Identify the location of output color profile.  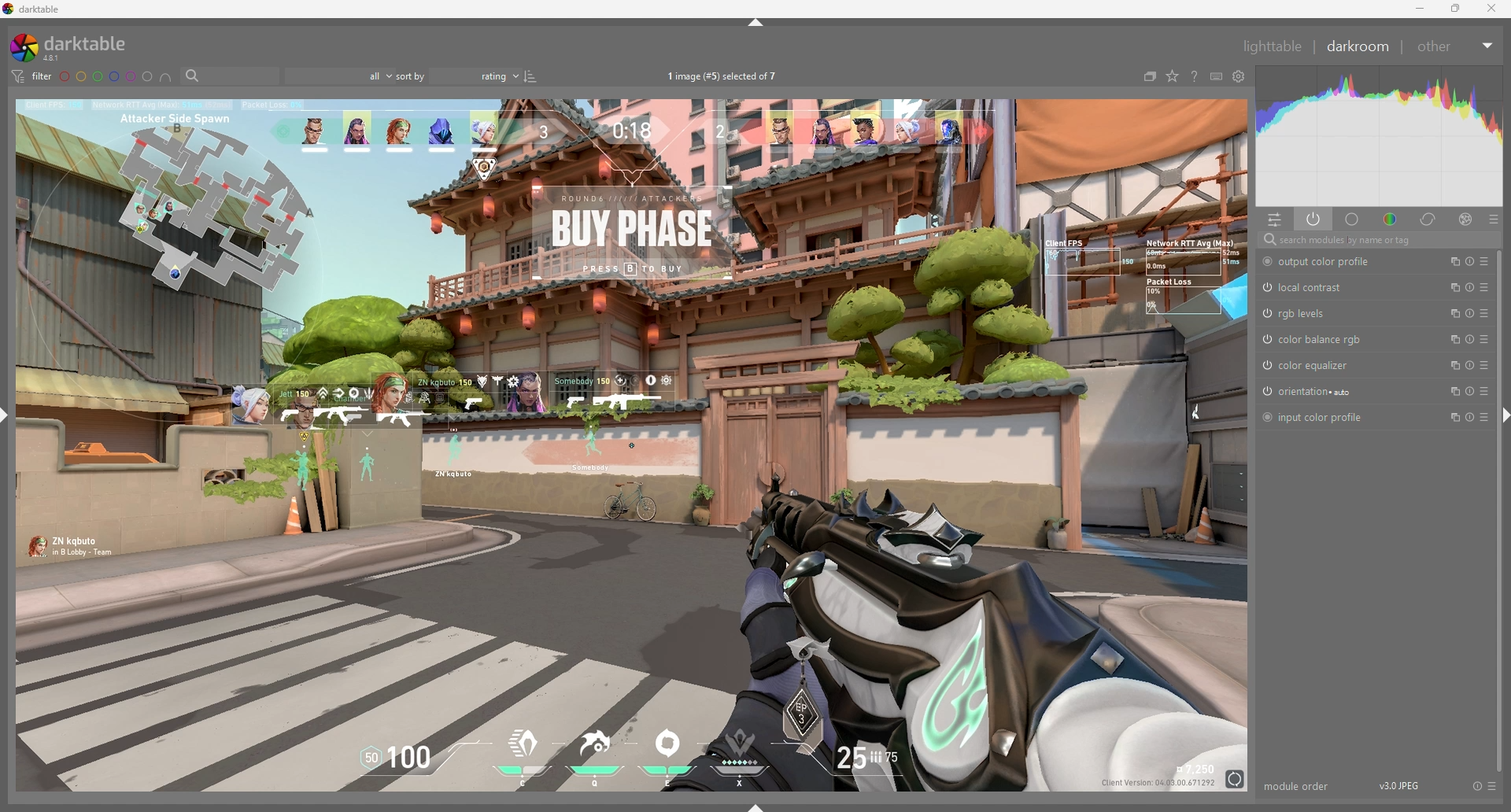
(1326, 263).